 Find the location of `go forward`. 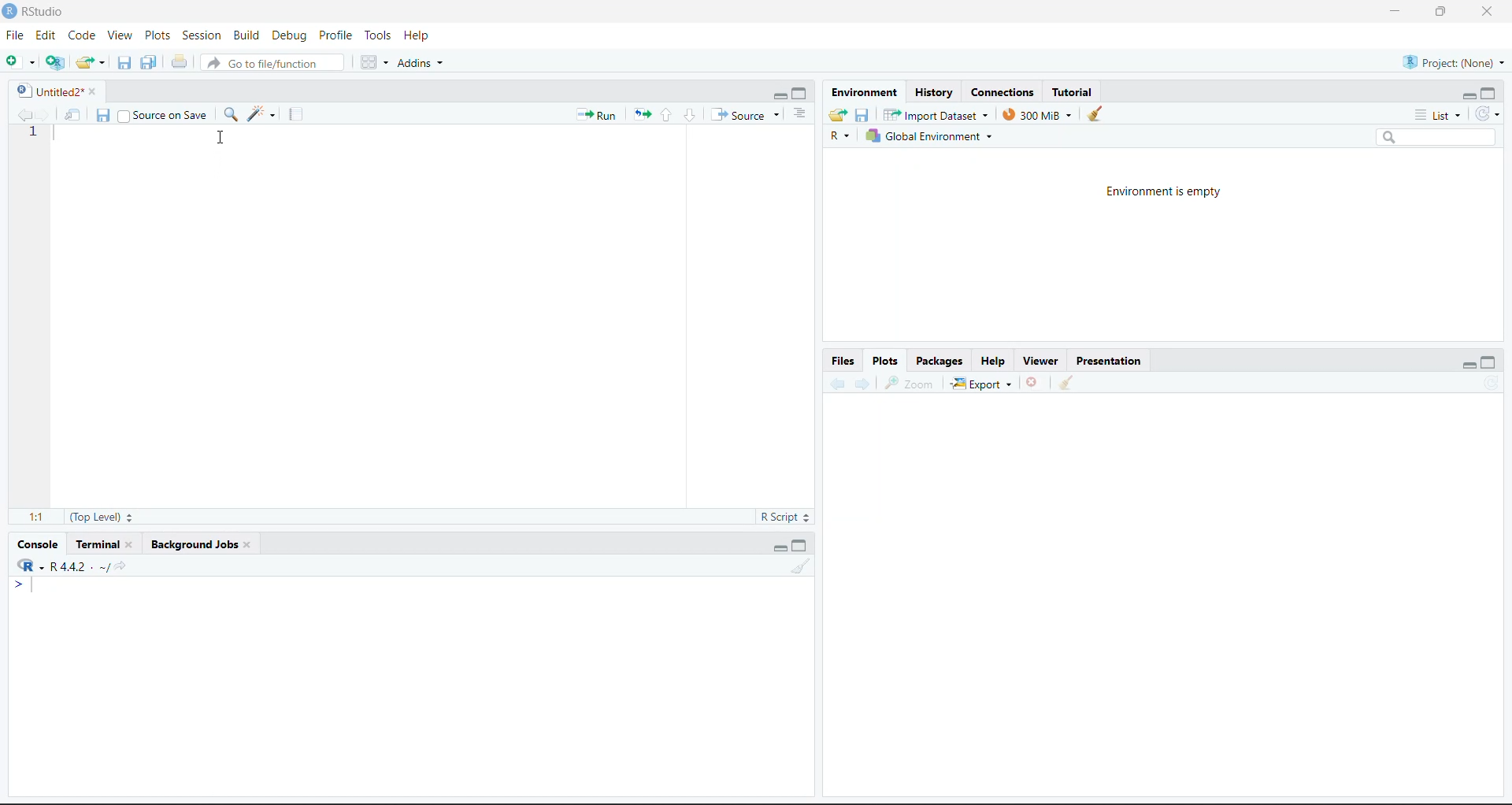

go forward is located at coordinates (864, 386).